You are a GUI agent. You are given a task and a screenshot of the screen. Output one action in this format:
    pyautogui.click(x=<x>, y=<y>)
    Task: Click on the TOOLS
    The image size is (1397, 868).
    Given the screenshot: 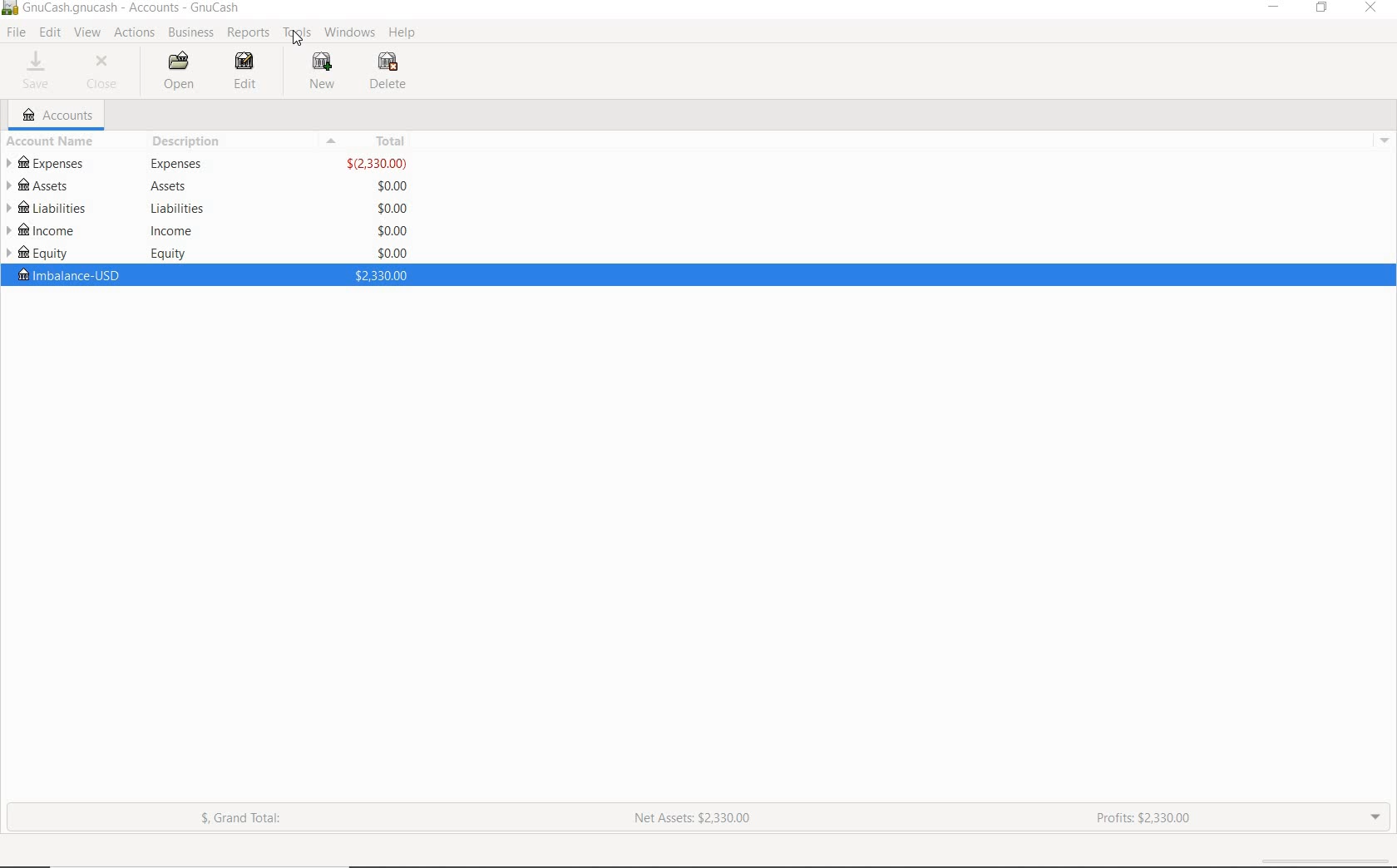 What is the action you would take?
    pyautogui.click(x=295, y=33)
    